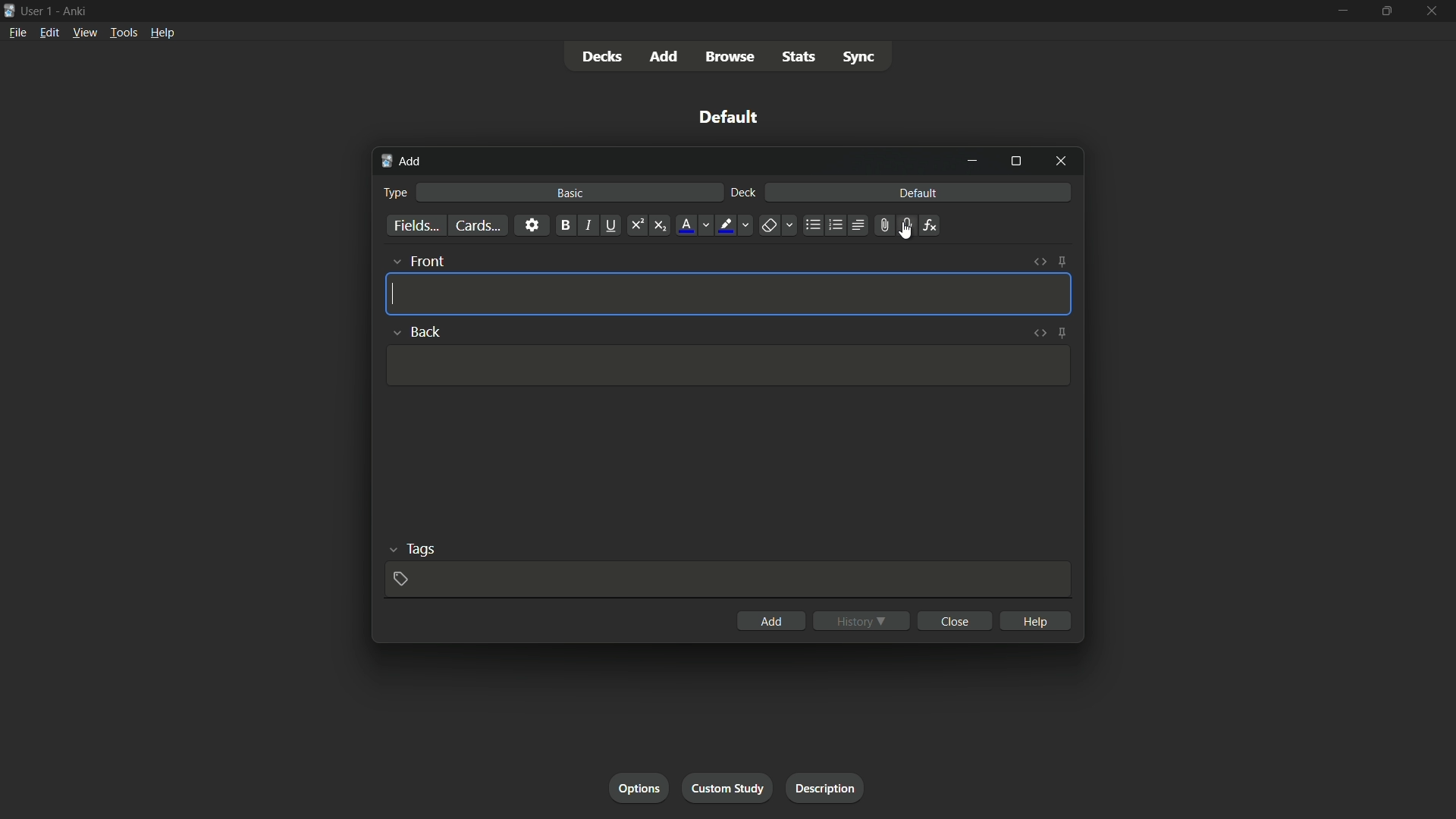 The width and height of the screenshot is (1456, 819). I want to click on toggle html editor, so click(1040, 334).